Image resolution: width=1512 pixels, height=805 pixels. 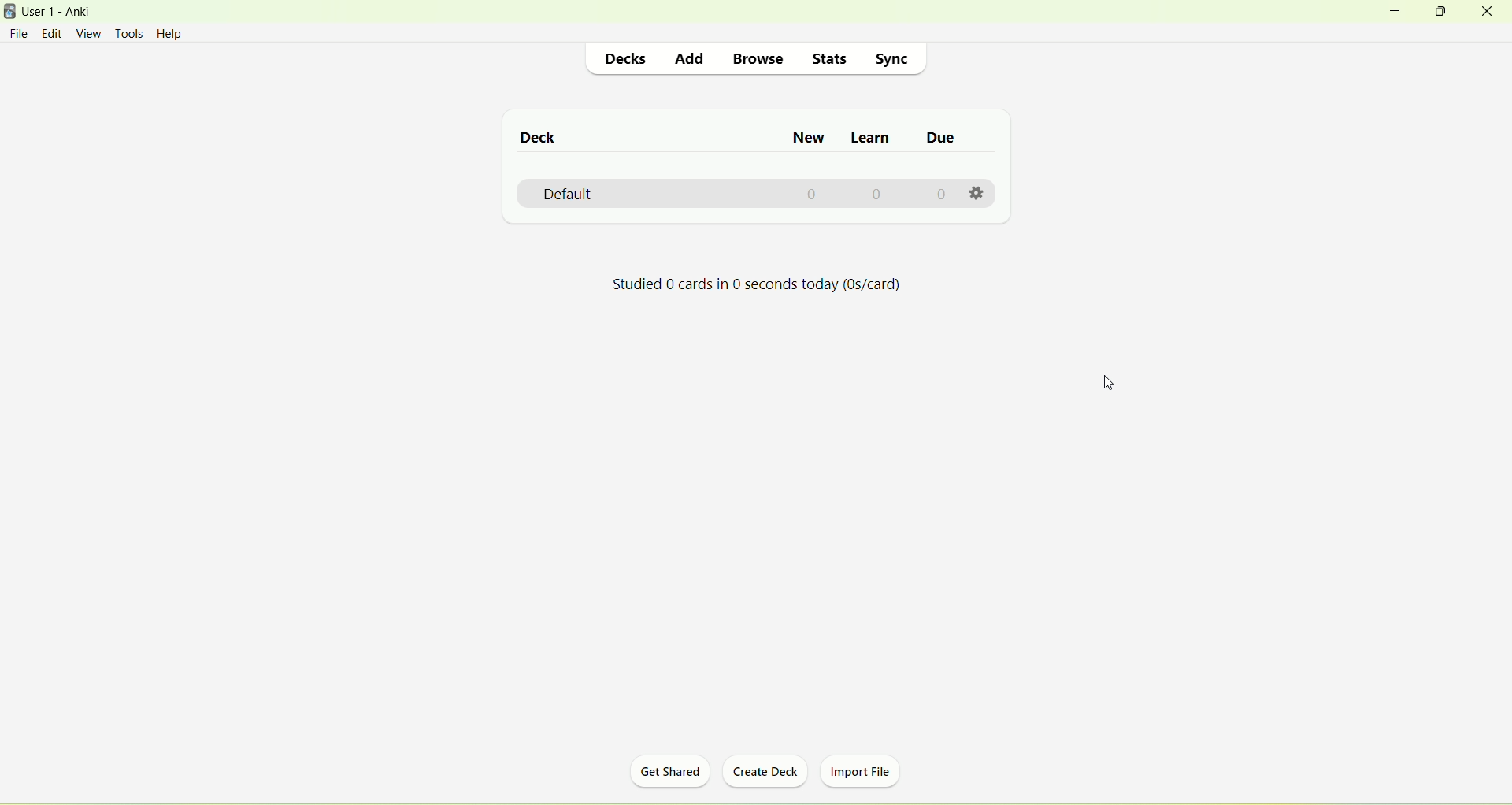 I want to click on logo, so click(x=9, y=11).